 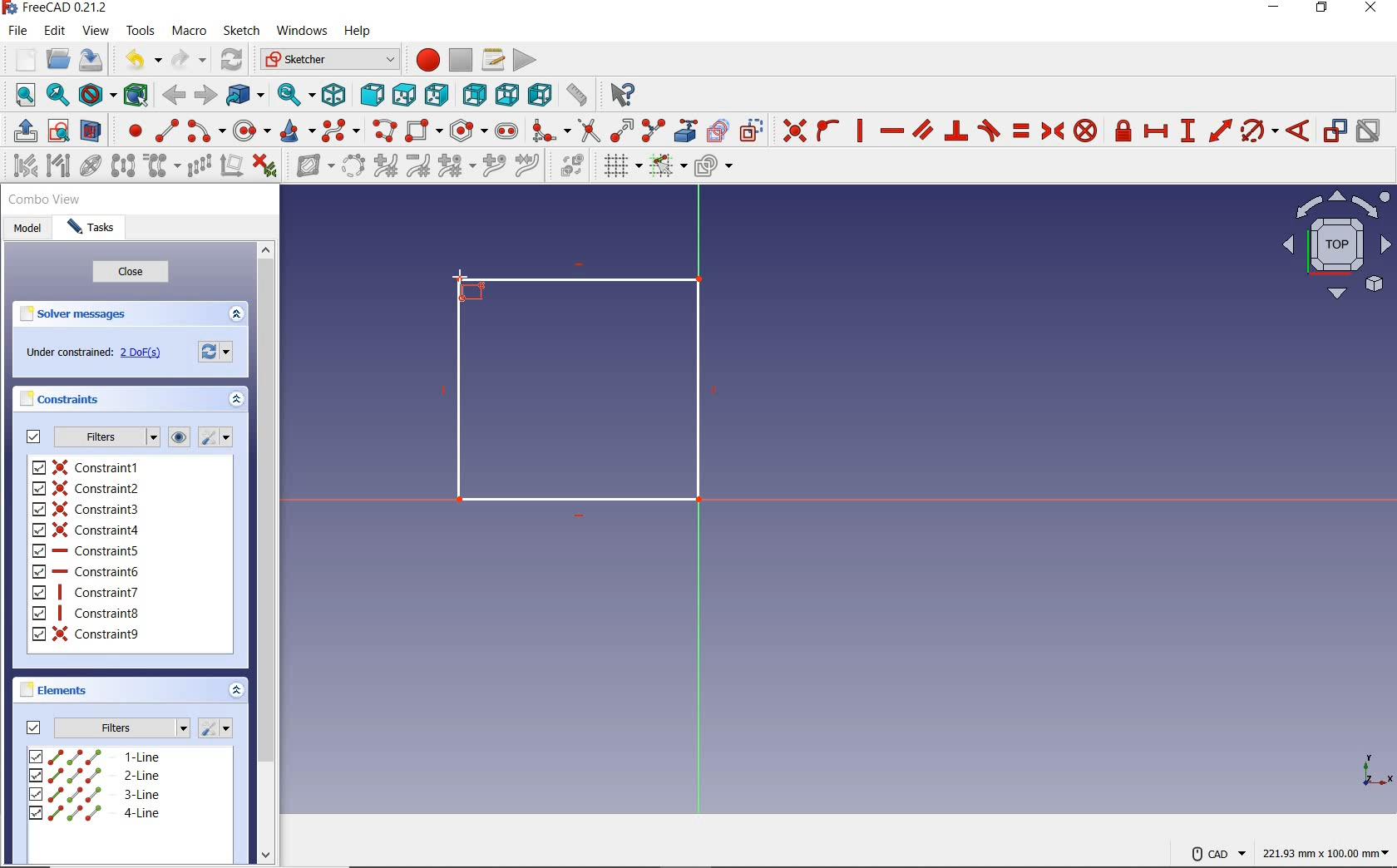 What do you see at coordinates (64, 399) in the screenshot?
I see `constraints` at bounding box center [64, 399].